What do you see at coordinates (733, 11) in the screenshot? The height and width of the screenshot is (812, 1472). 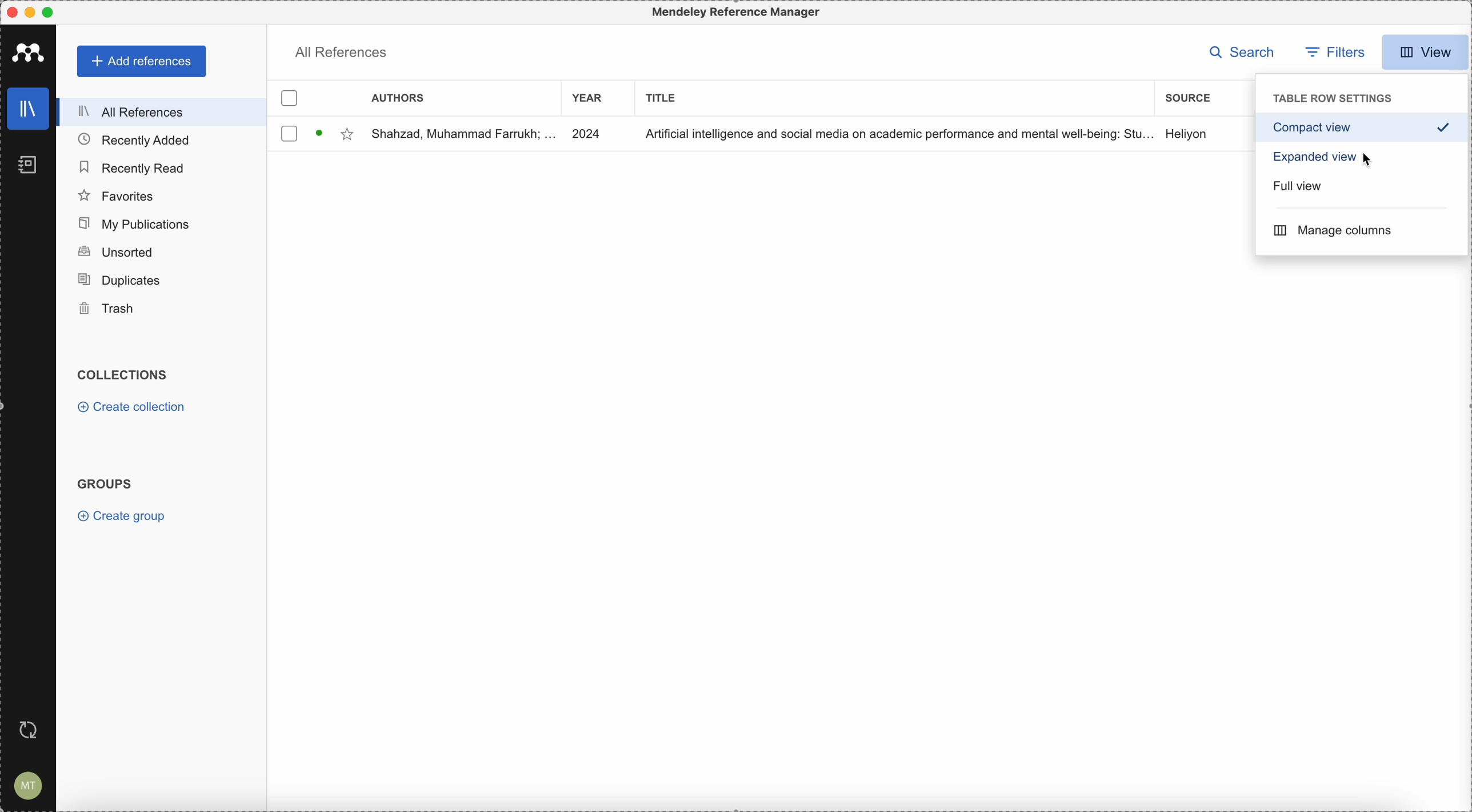 I see `Mendeley Reference Manager` at bounding box center [733, 11].